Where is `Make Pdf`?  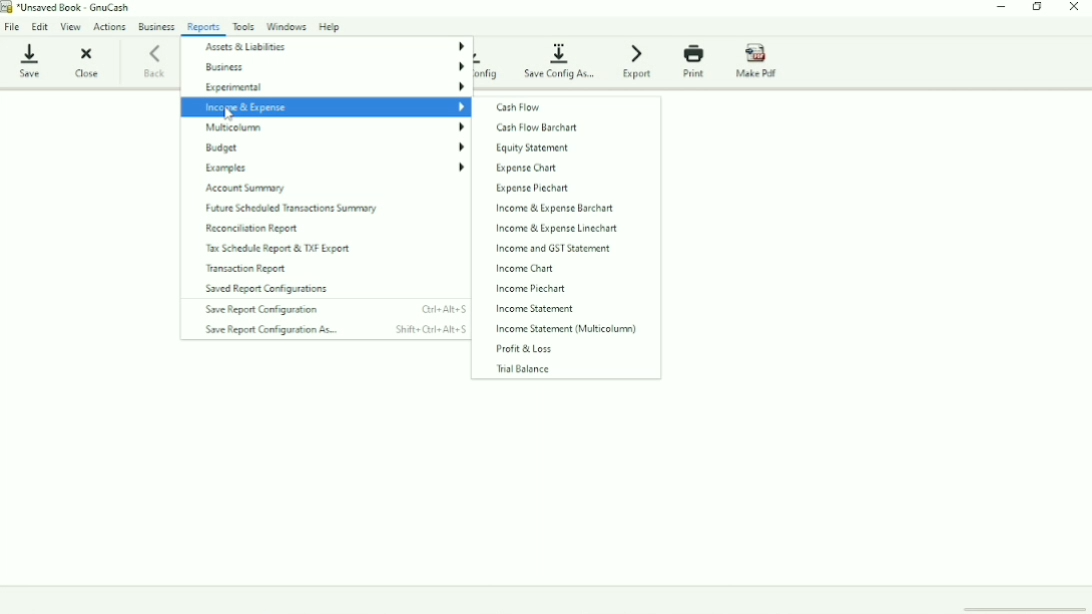 Make Pdf is located at coordinates (760, 61).